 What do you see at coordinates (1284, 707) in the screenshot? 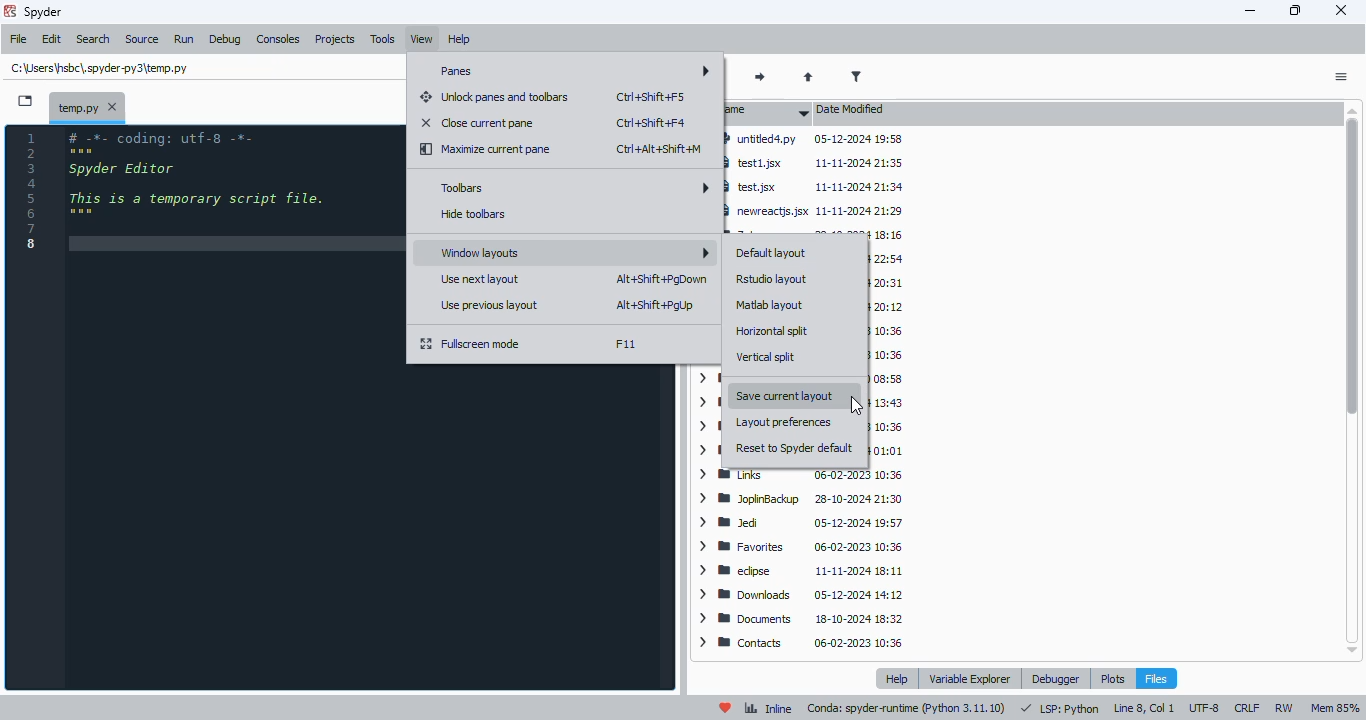
I see `RW` at bounding box center [1284, 707].